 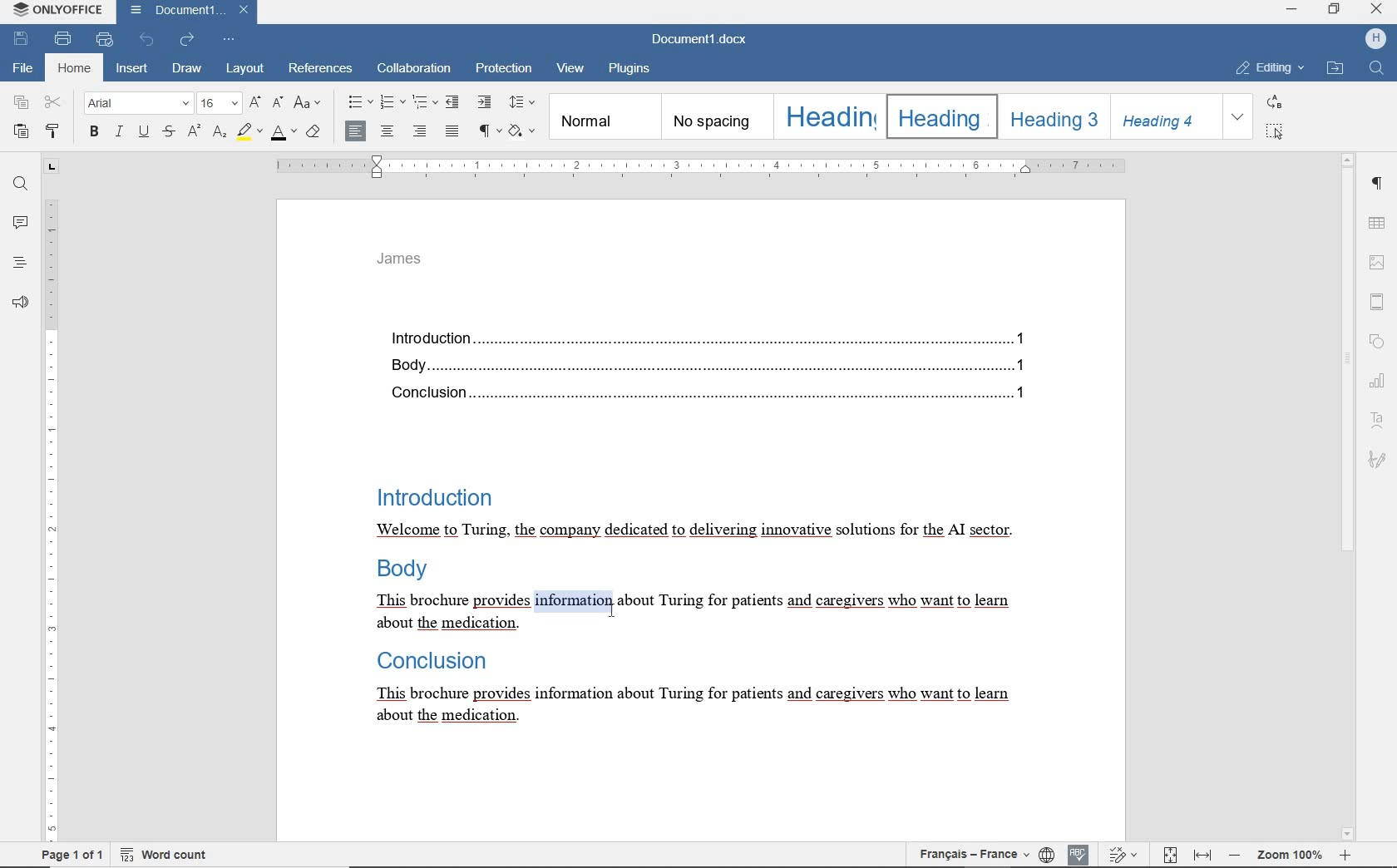 I want to click on FIT TO WIDTH, so click(x=1201, y=855).